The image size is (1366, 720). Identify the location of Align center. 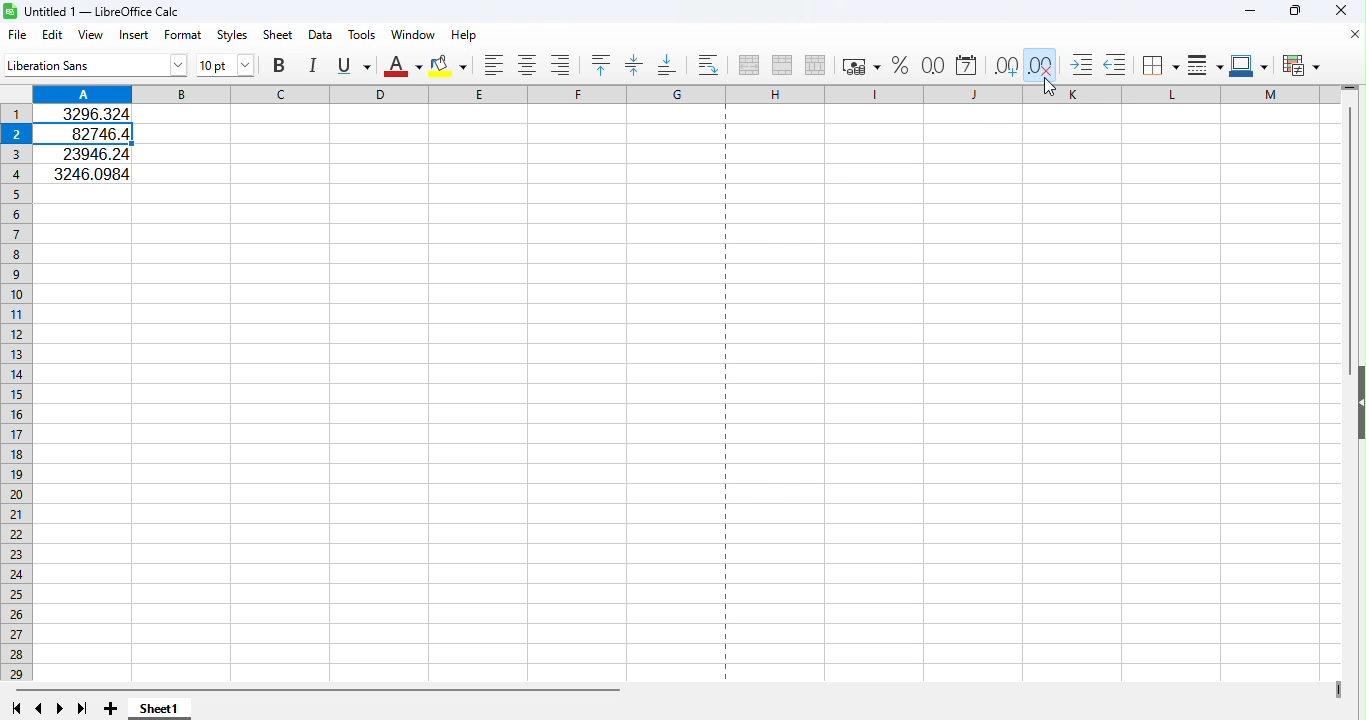
(530, 66).